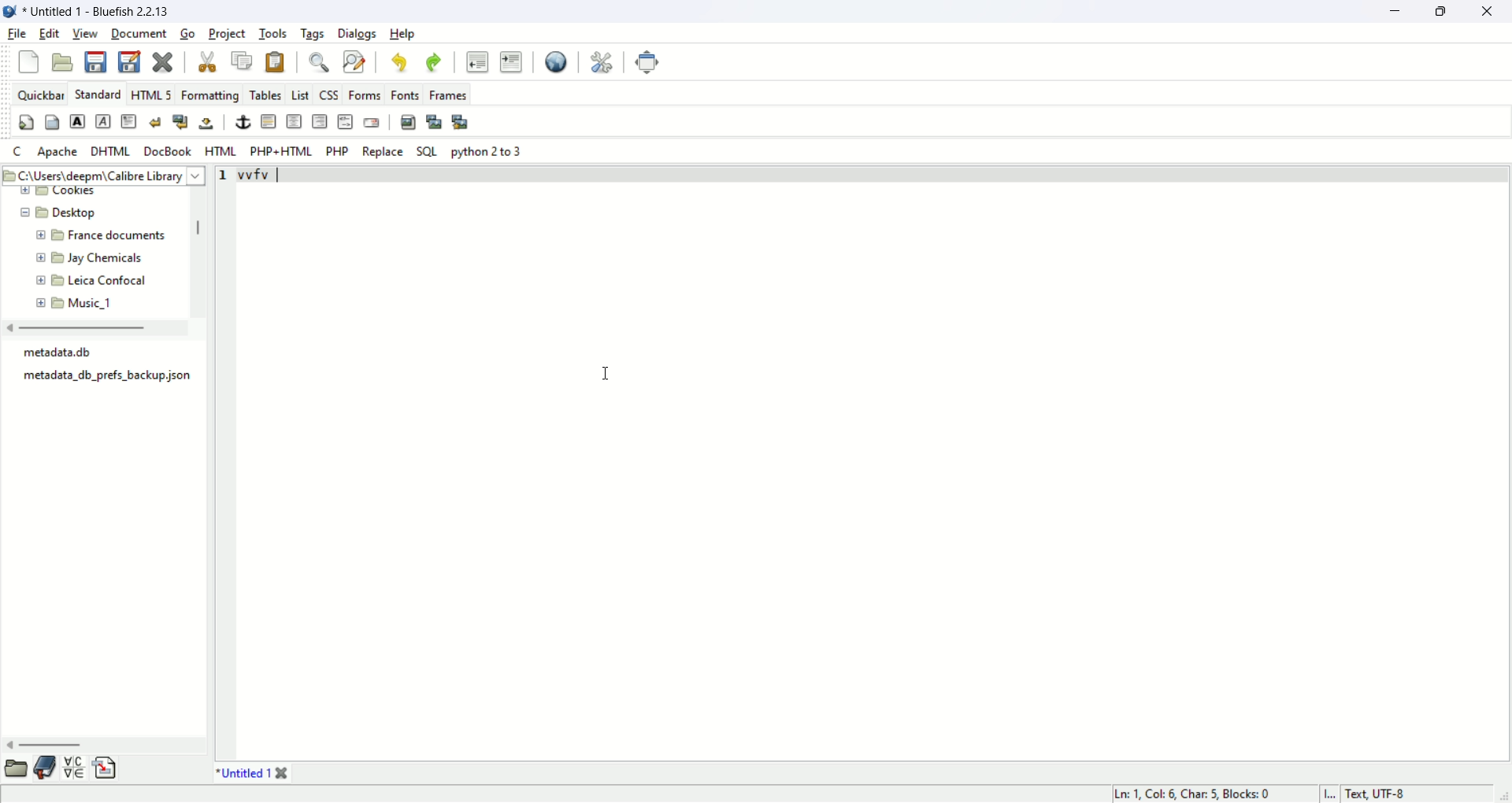  I want to click on Replace, so click(384, 153).